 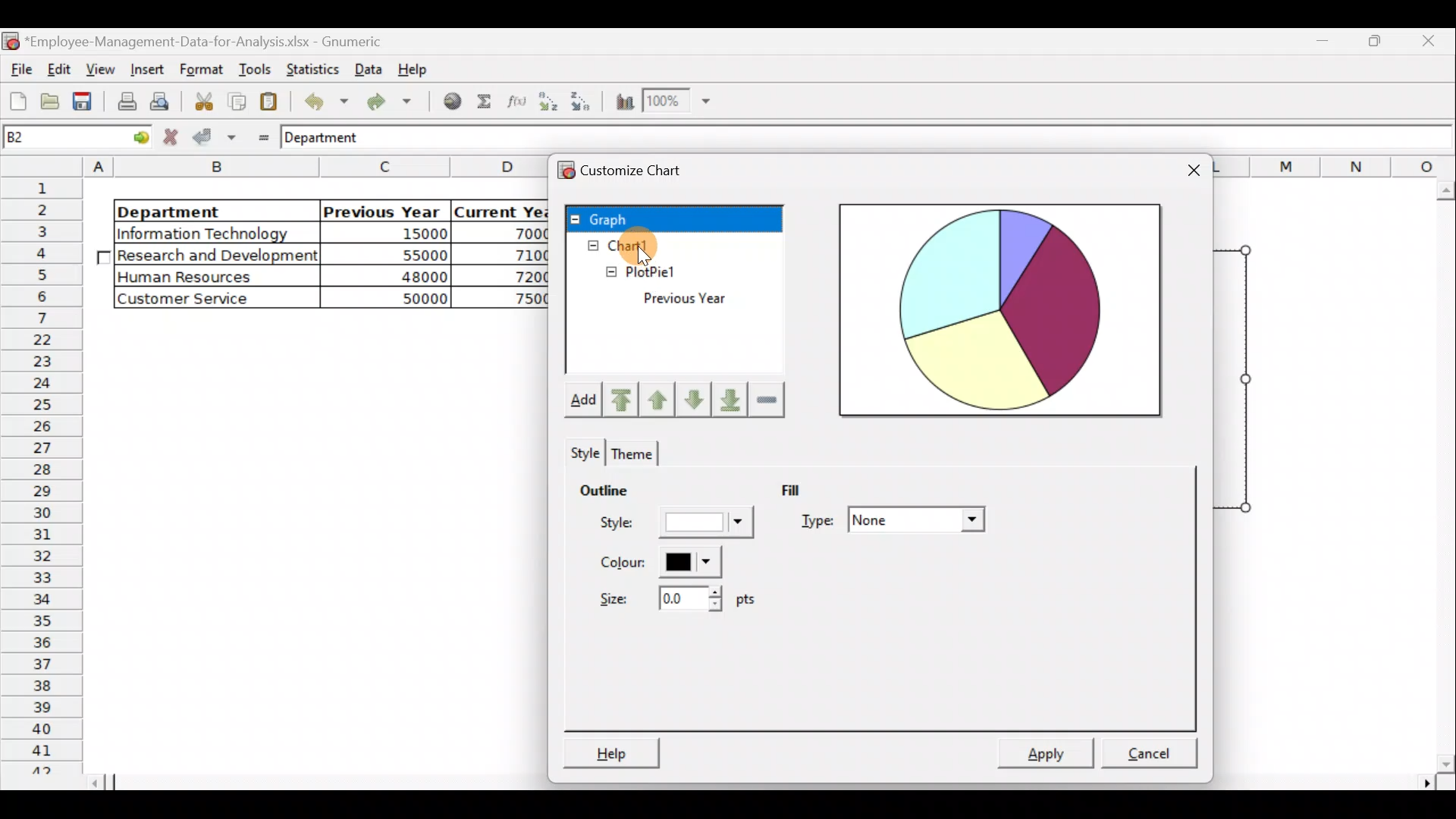 I want to click on Rows, so click(x=45, y=475).